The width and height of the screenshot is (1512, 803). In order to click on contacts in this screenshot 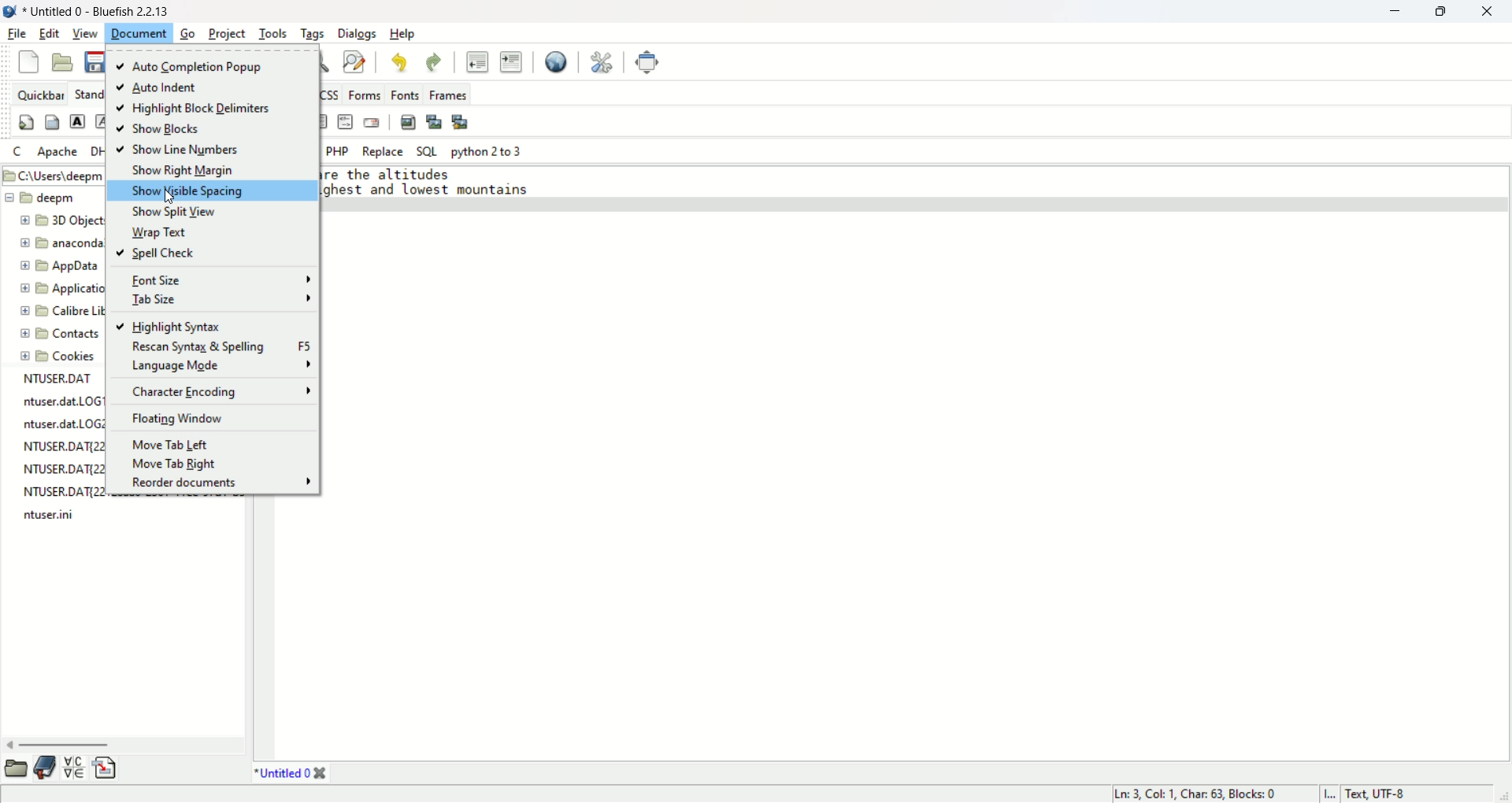, I will do `click(58, 331)`.